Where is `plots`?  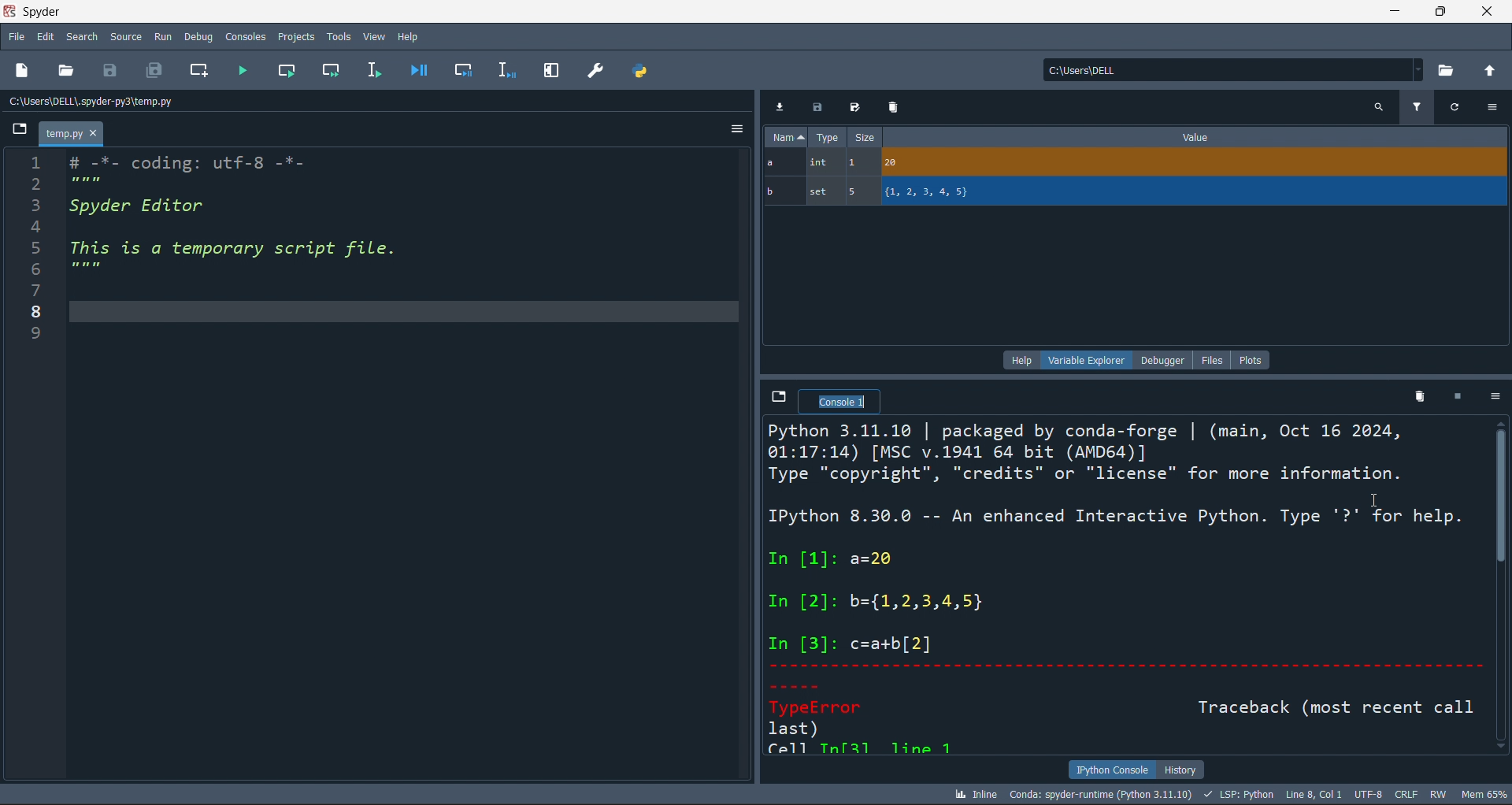
plots is located at coordinates (1251, 358).